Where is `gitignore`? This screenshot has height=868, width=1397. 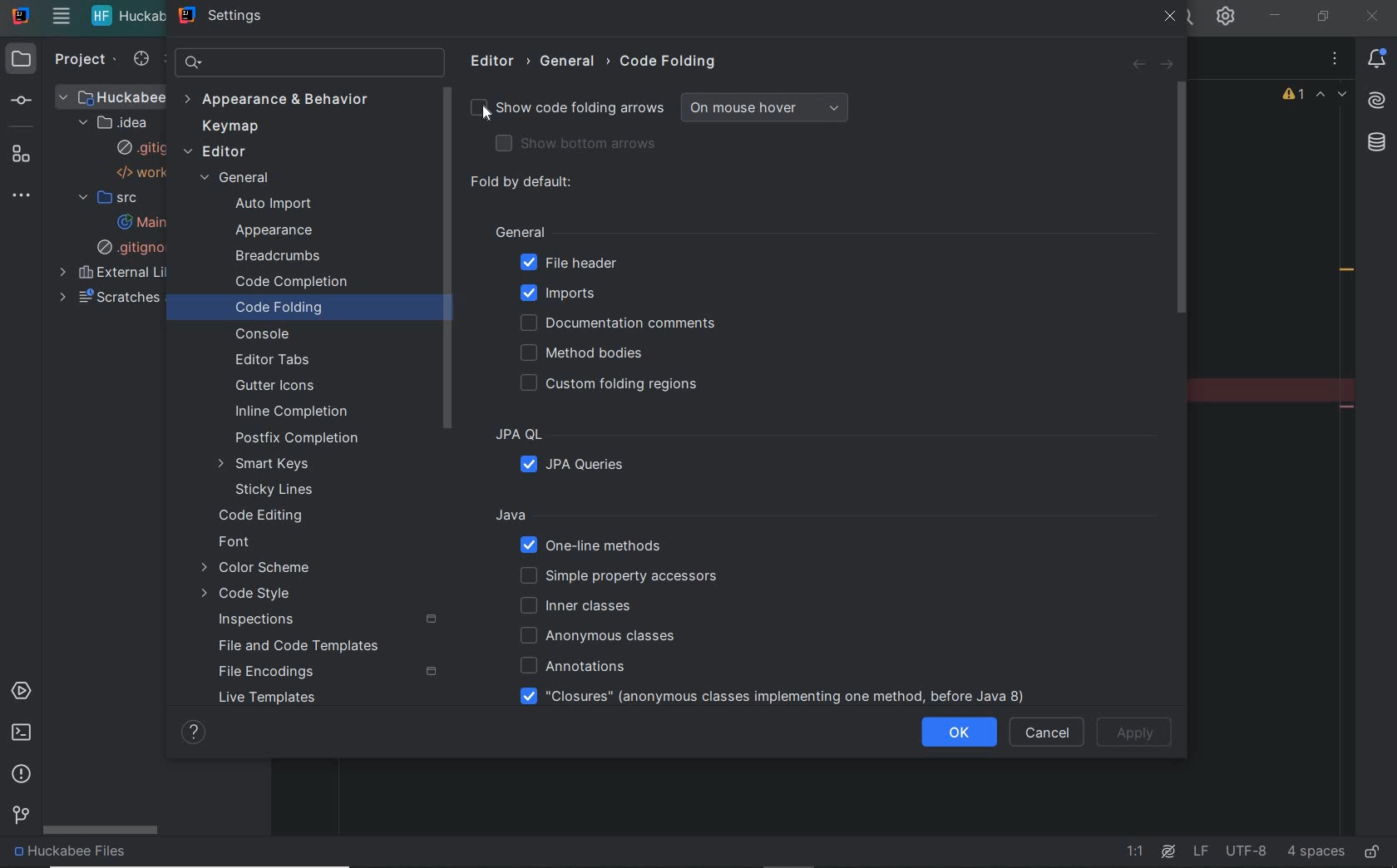
gitignore is located at coordinates (145, 147).